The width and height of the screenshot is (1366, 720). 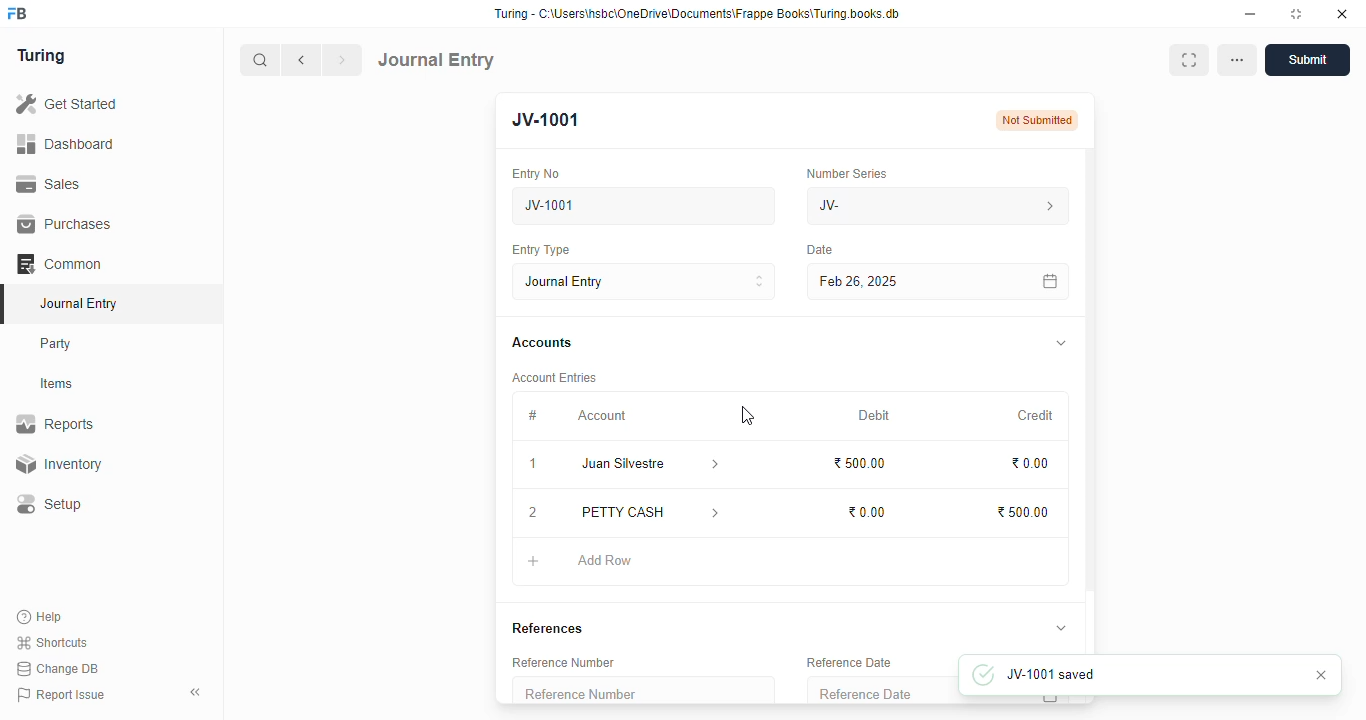 I want to click on close, so click(x=1342, y=14).